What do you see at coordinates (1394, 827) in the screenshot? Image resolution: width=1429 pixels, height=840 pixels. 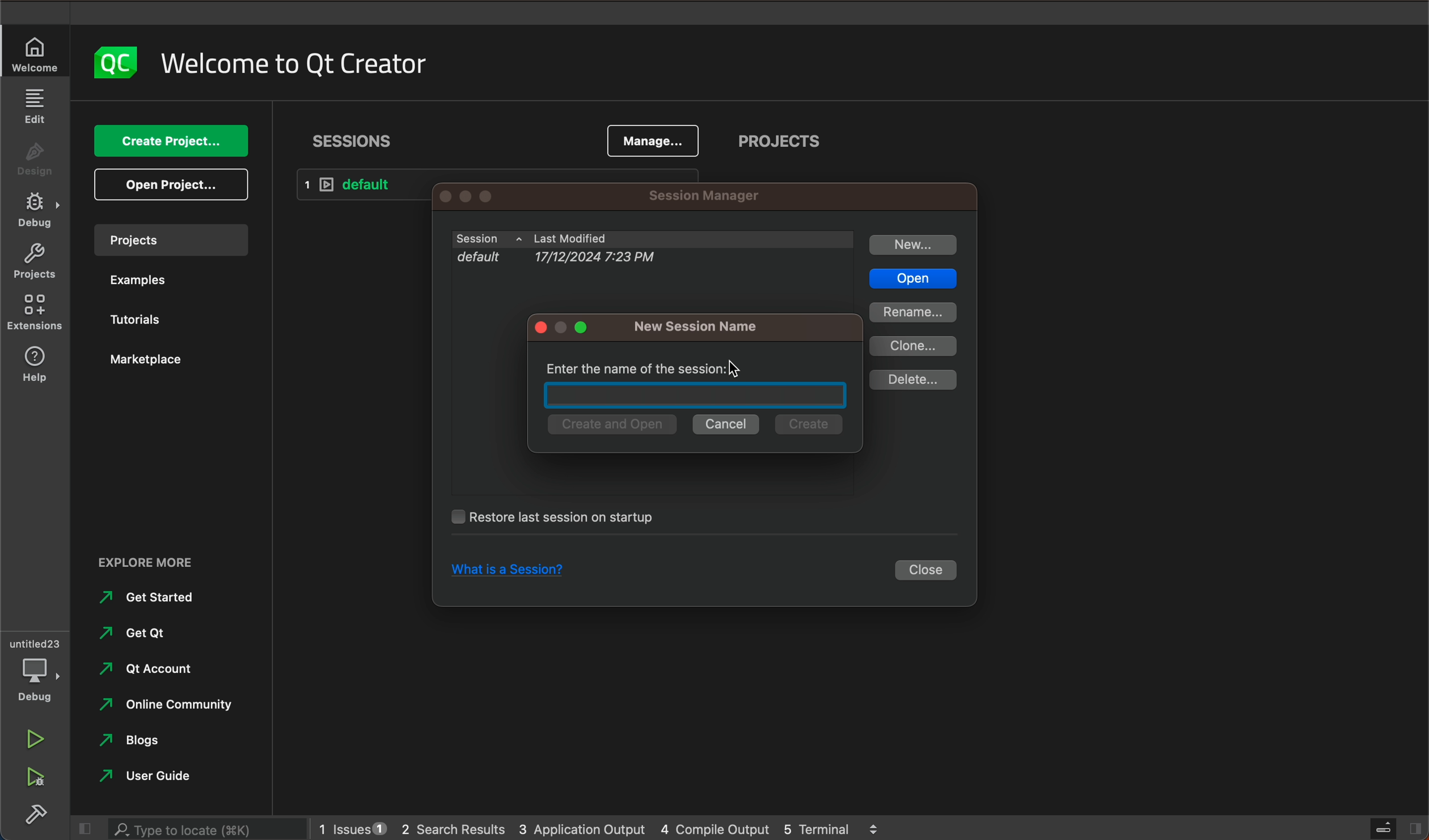 I see `close slidebar` at bounding box center [1394, 827].